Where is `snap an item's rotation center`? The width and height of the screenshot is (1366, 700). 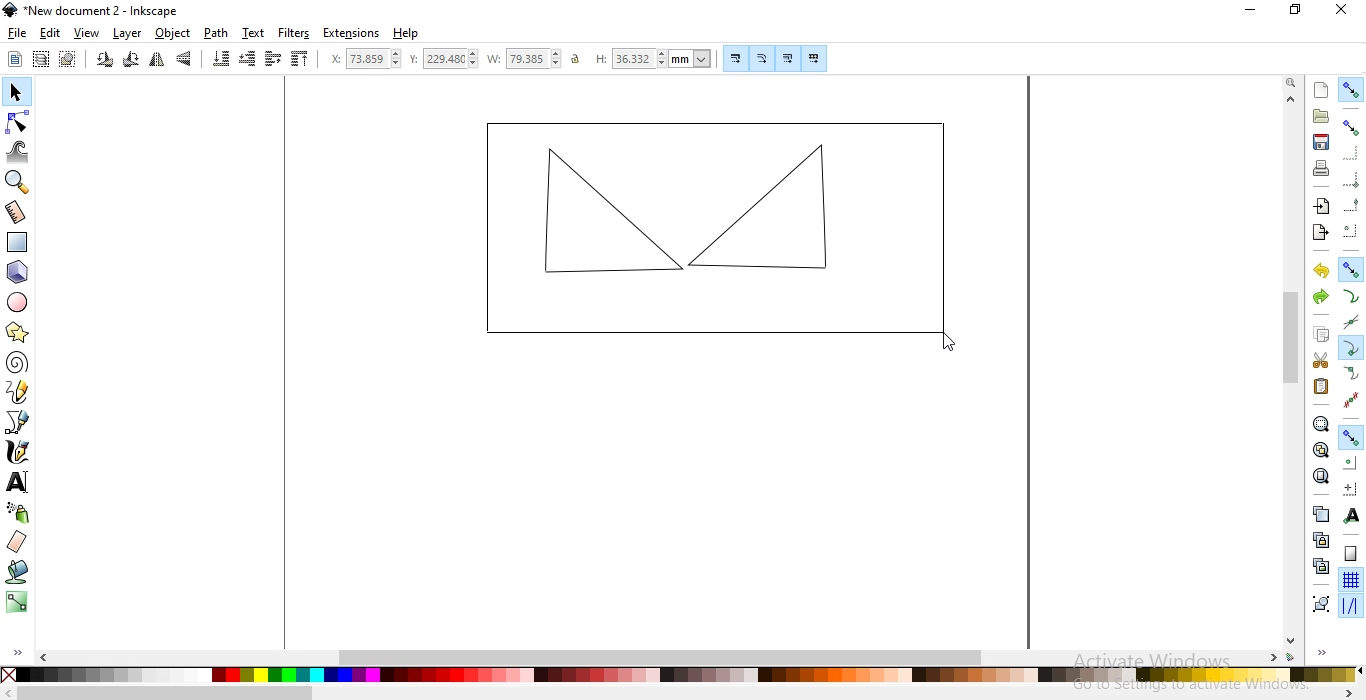
snap an item's rotation center is located at coordinates (1351, 488).